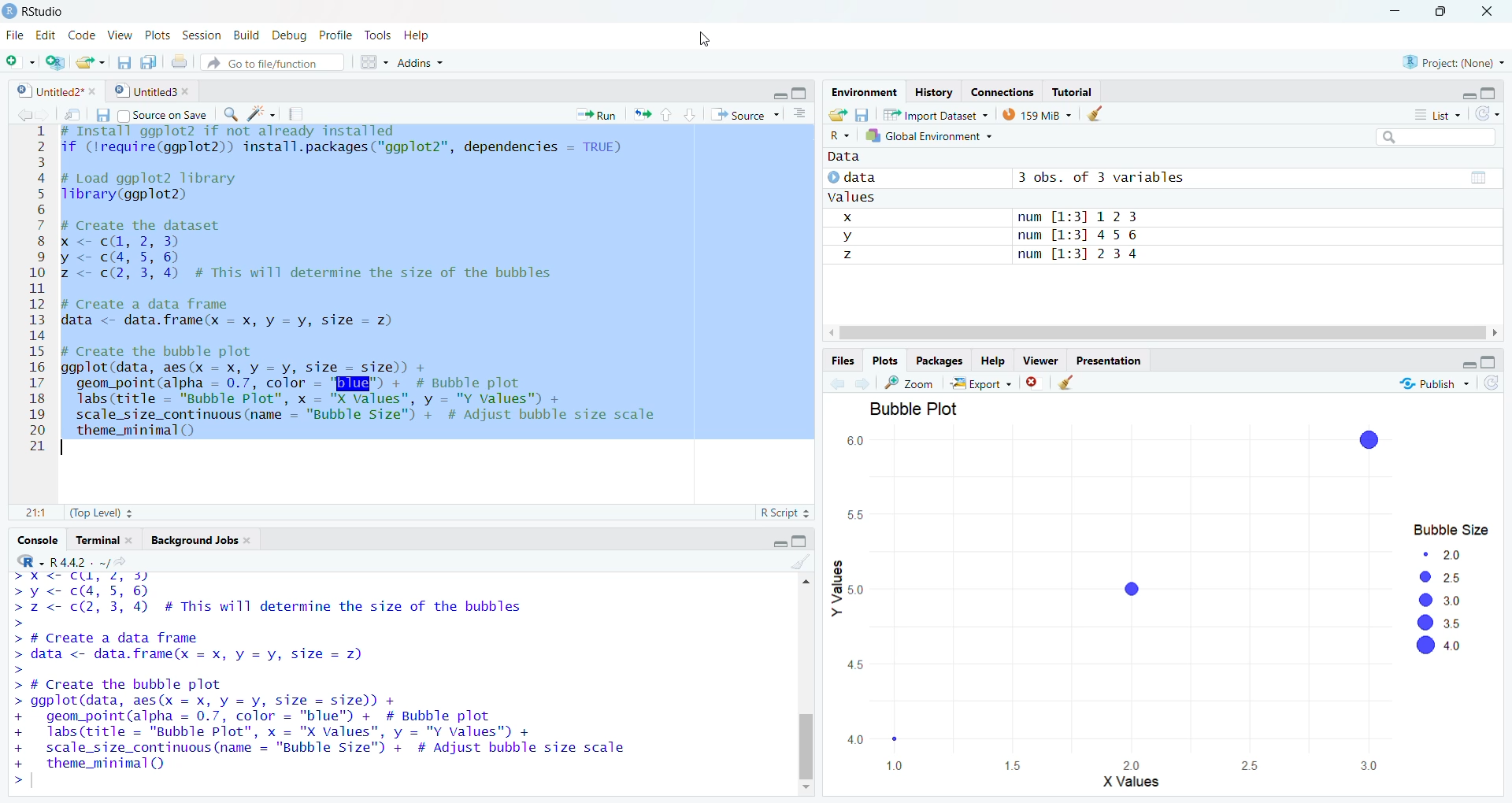 Image resolution: width=1512 pixels, height=803 pixels. Describe the element at coordinates (1001, 90) in the screenshot. I see `Connections` at that location.